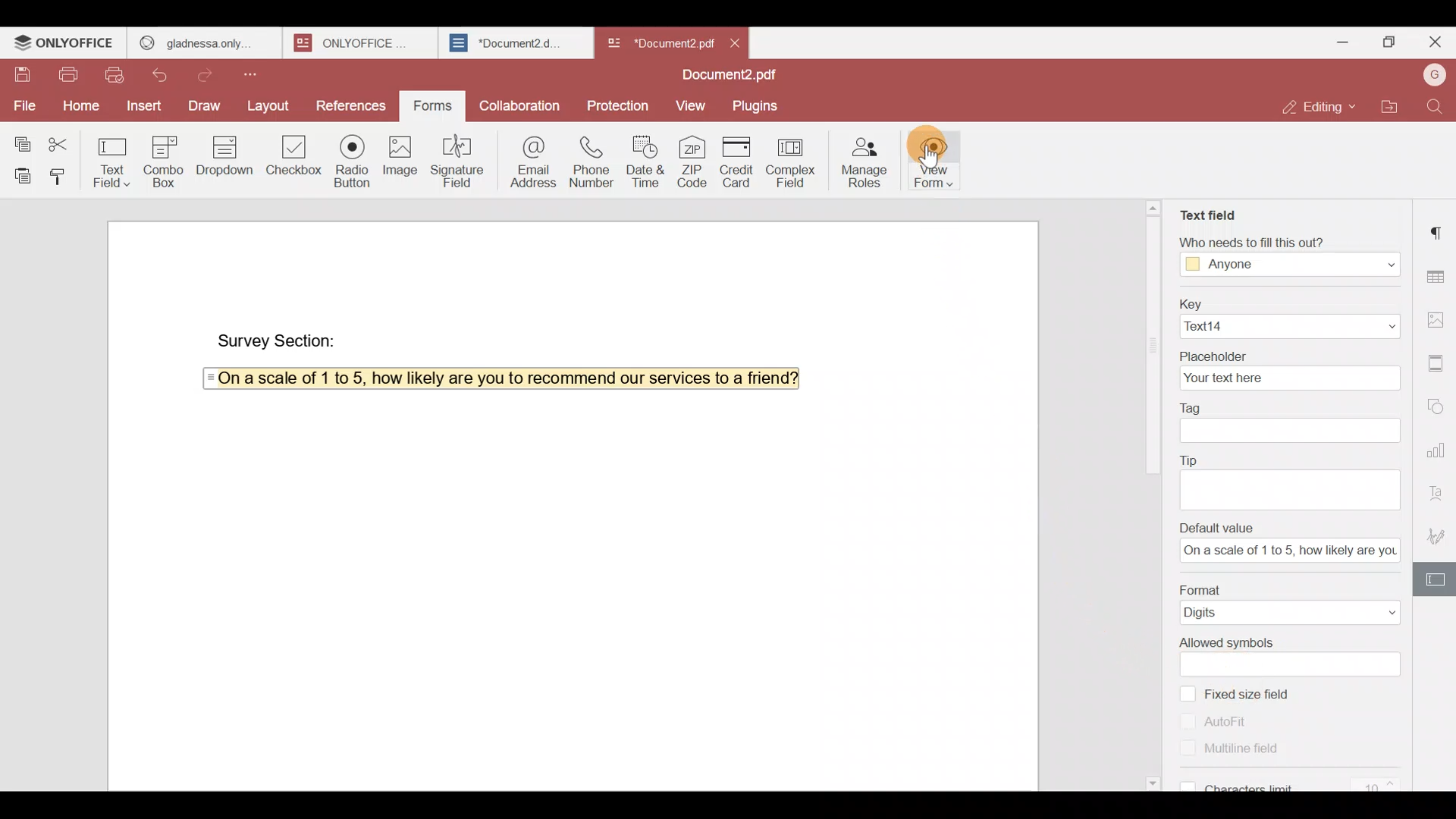  Describe the element at coordinates (112, 158) in the screenshot. I see `Text field` at that location.